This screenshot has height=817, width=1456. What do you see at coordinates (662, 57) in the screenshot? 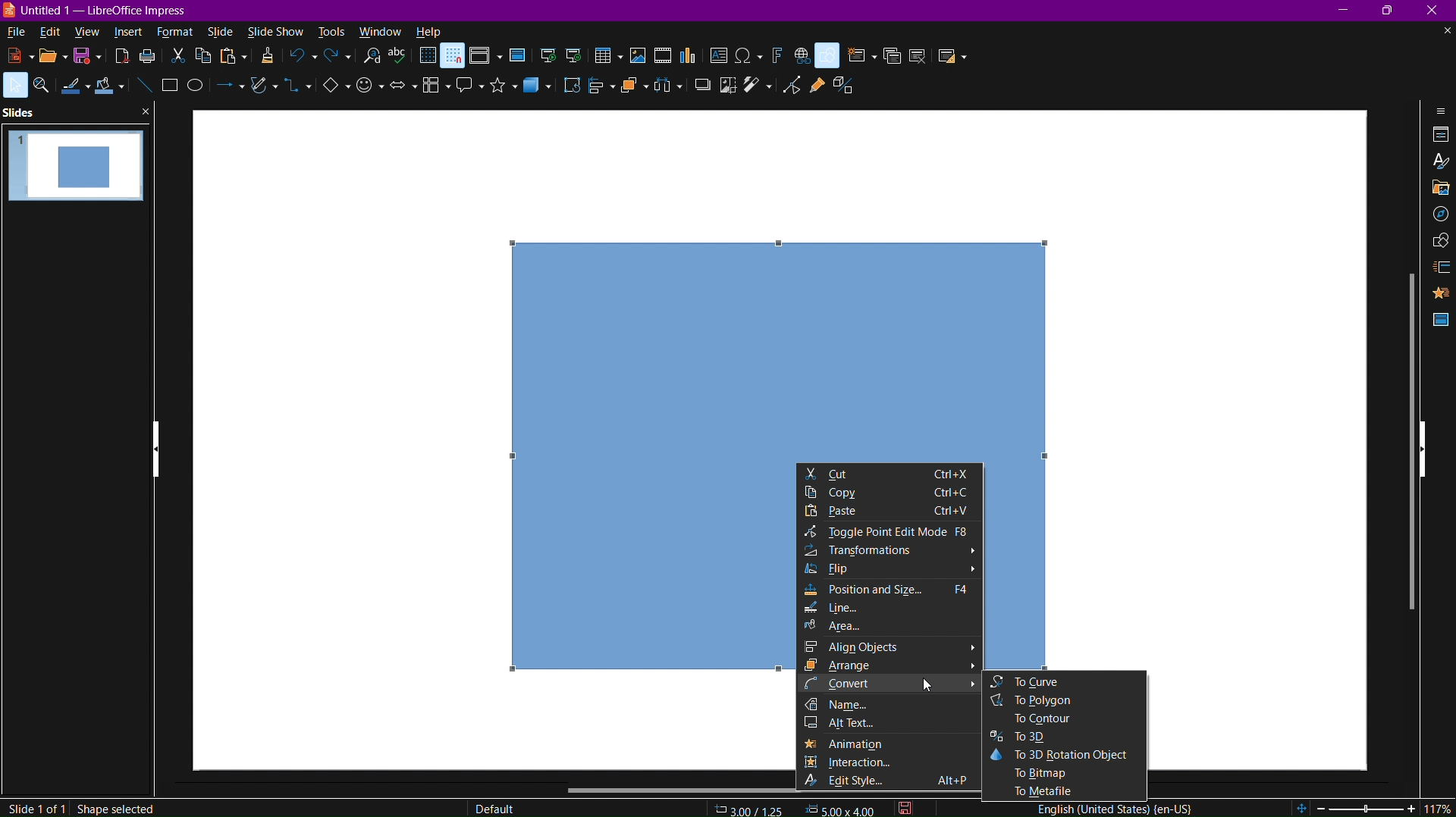
I see `Insert Media or Audio` at bounding box center [662, 57].